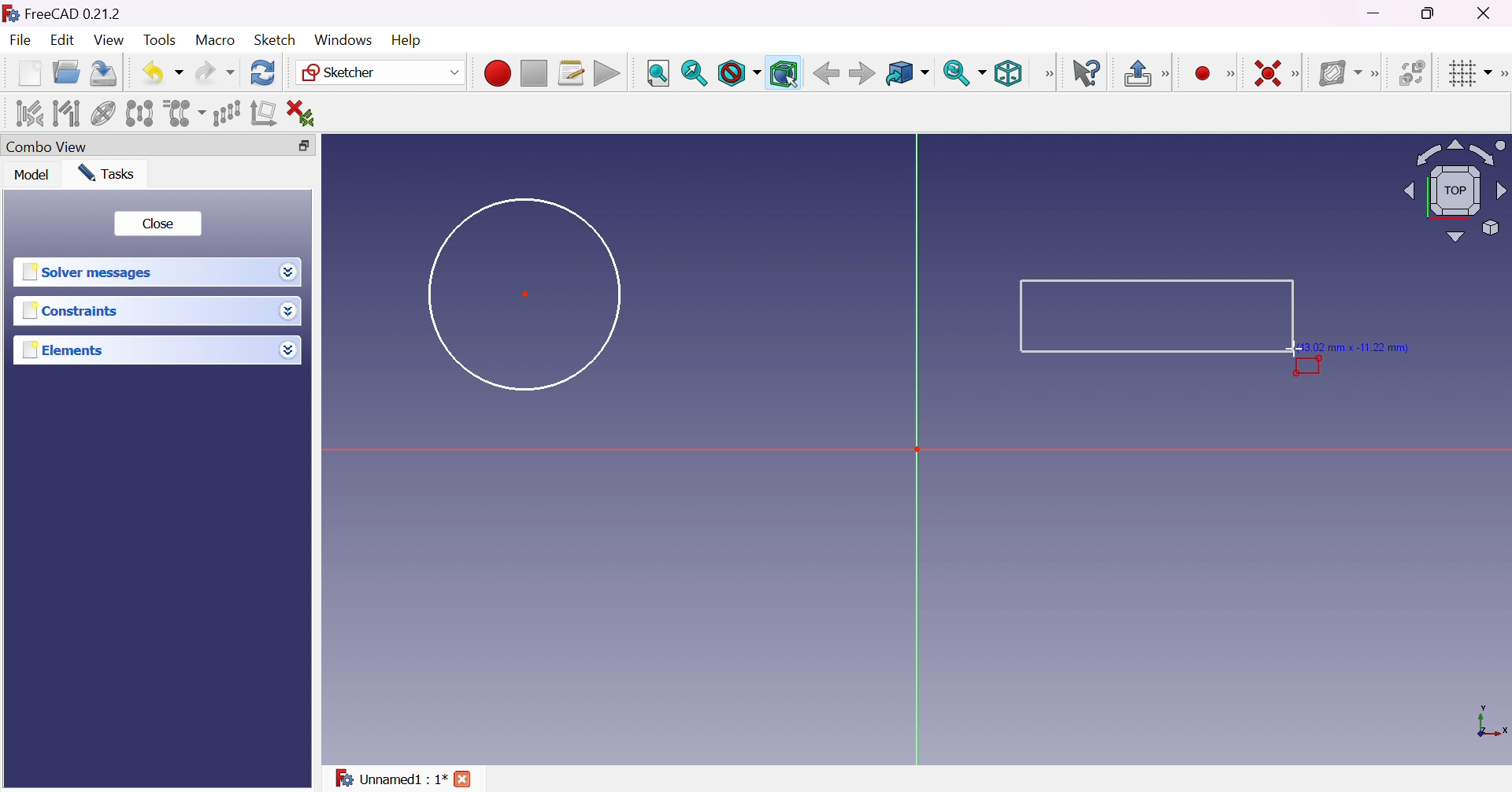 The width and height of the screenshot is (1512, 792). I want to click on Macro recording..., so click(497, 71).